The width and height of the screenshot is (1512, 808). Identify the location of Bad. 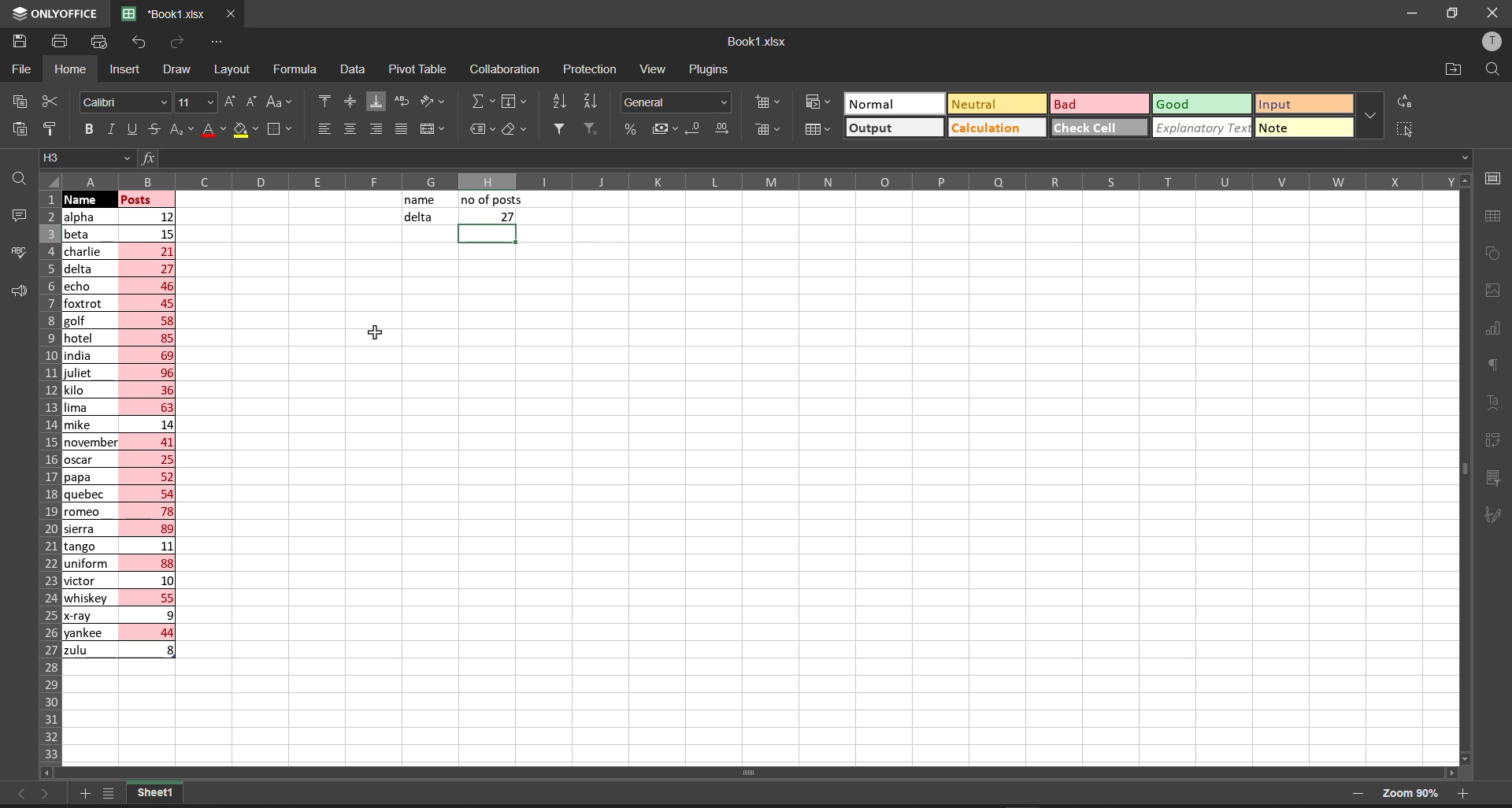
(1070, 104).